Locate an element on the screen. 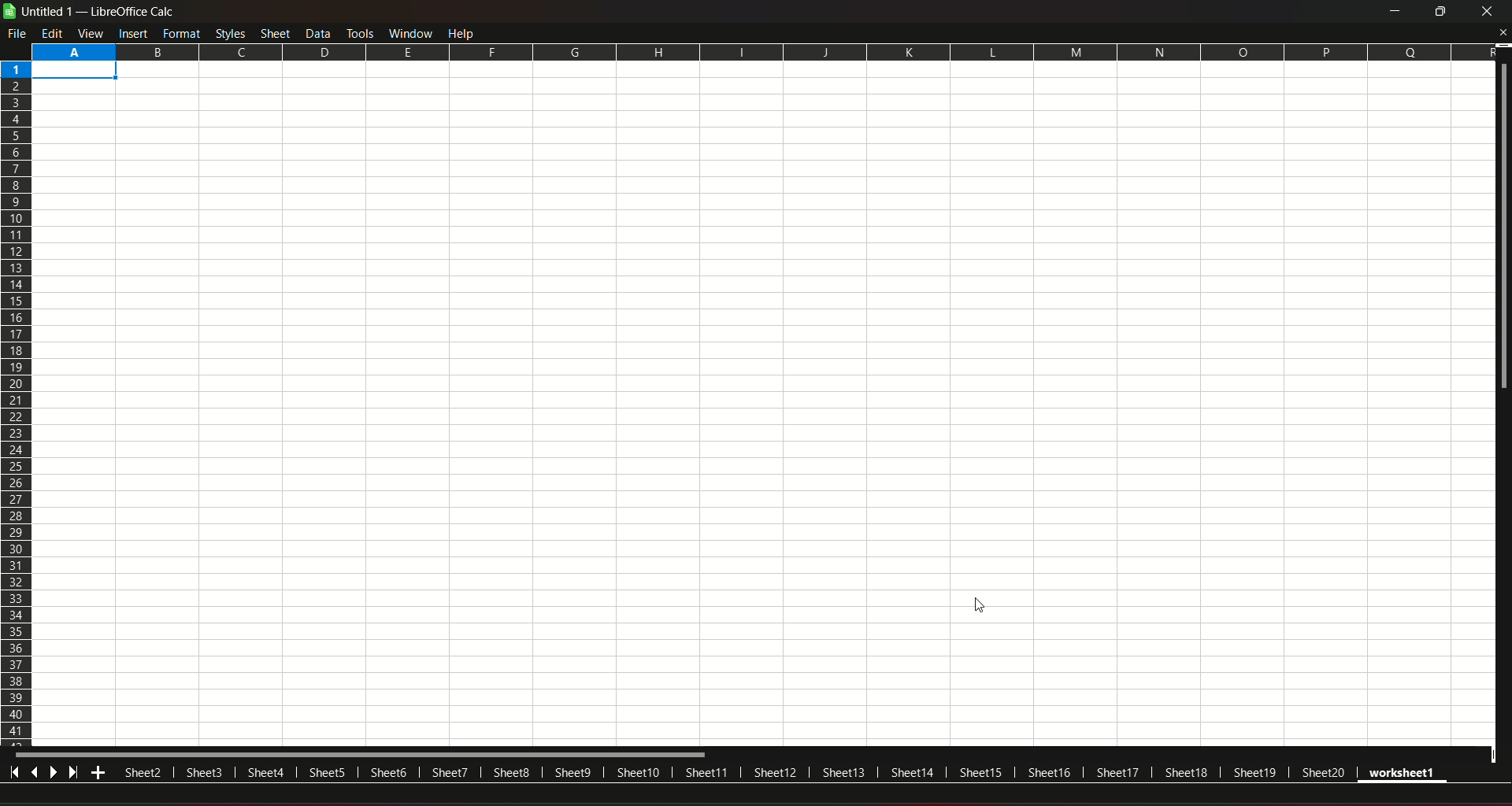  format is located at coordinates (182, 33).